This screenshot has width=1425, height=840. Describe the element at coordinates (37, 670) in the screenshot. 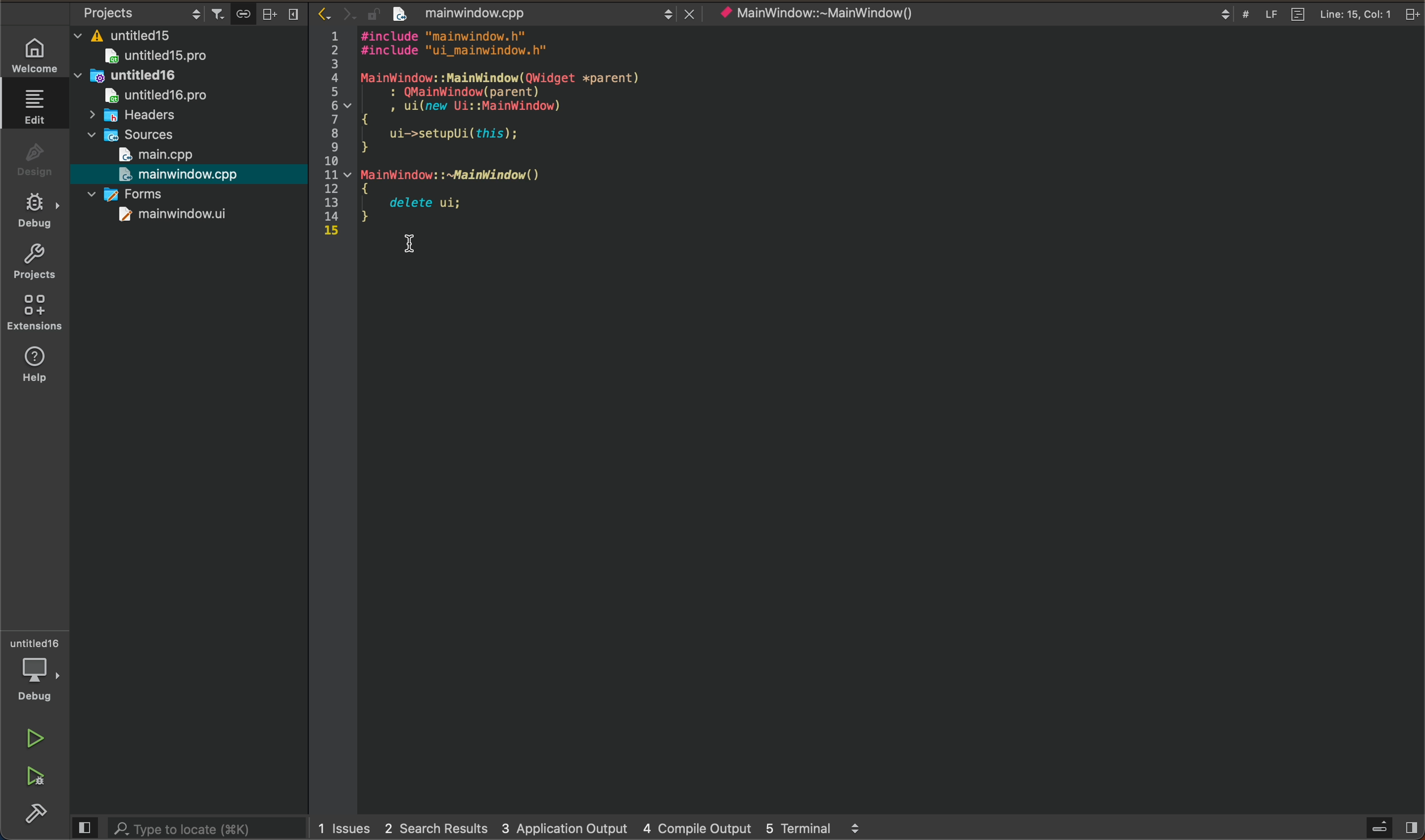

I see `debugger` at that location.